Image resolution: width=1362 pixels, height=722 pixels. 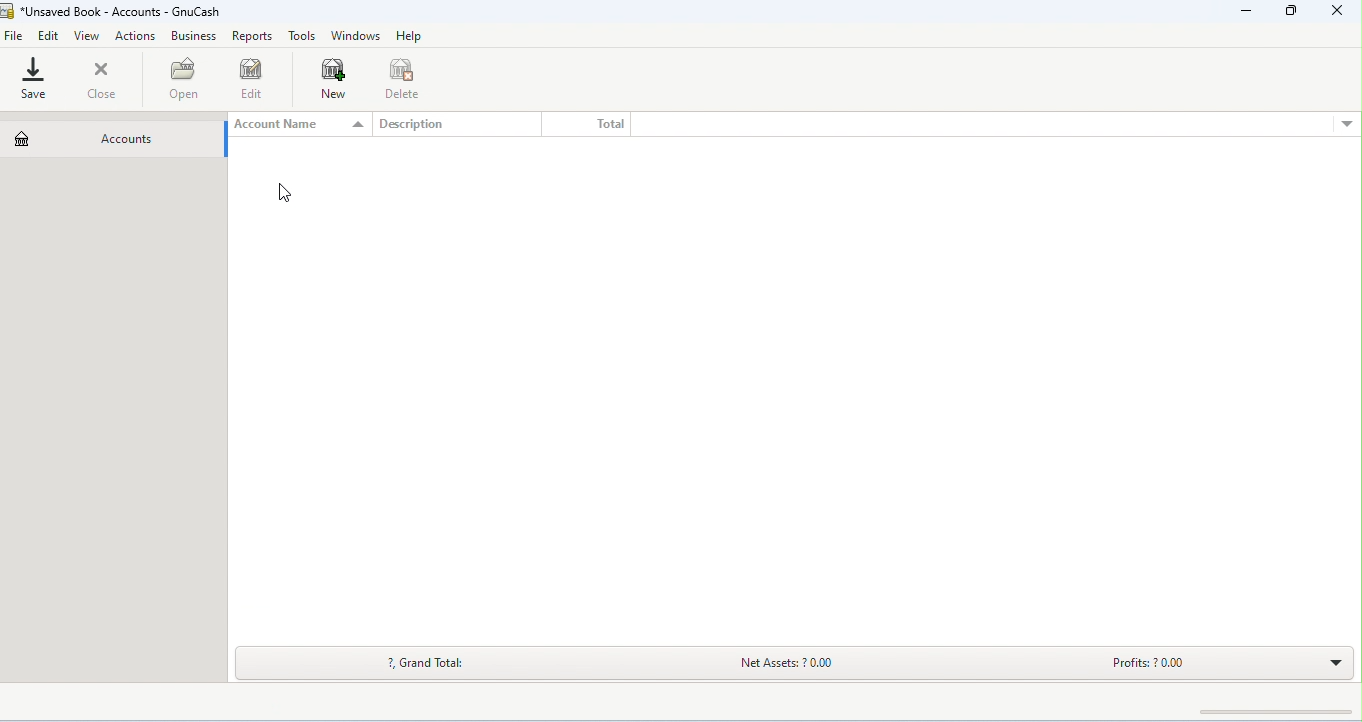 What do you see at coordinates (37, 79) in the screenshot?
I see `save` at bounding box center [37, 79].